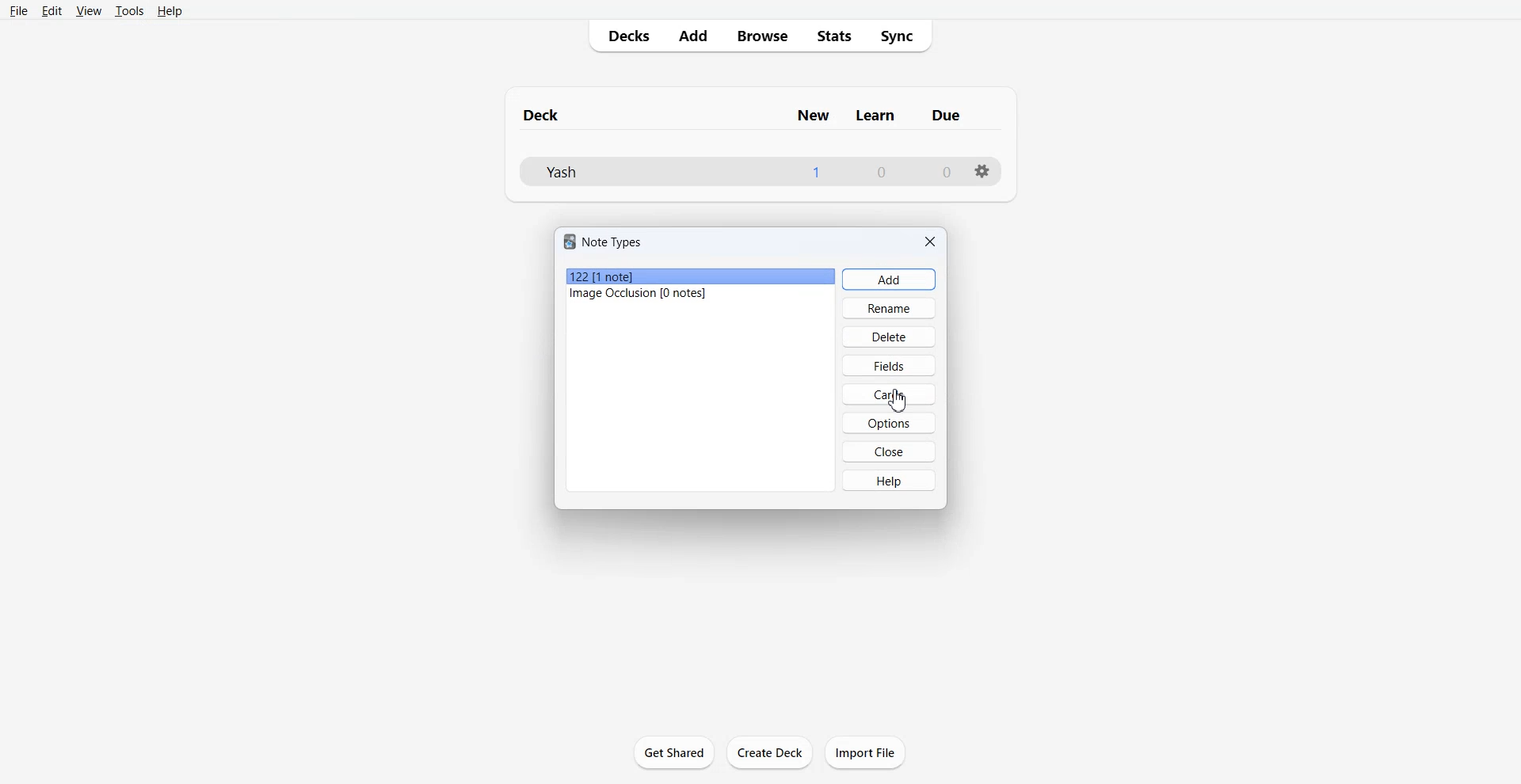 This screenshot has height=784, width=1521. What do you see at coordinates (89, 10) in the screenshot?
I see `View` at bounding box center [89, 10].